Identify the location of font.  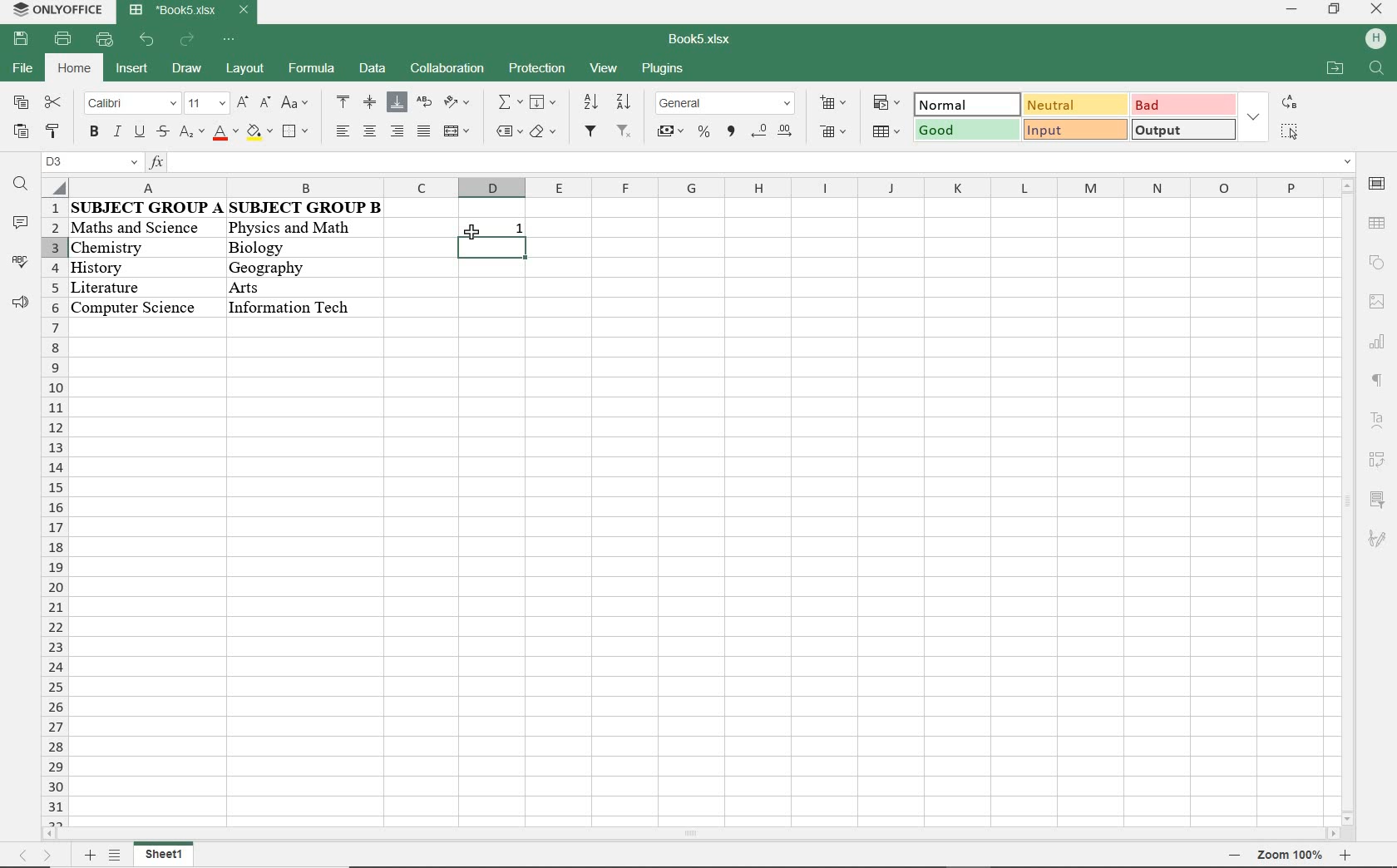
(131, 105).